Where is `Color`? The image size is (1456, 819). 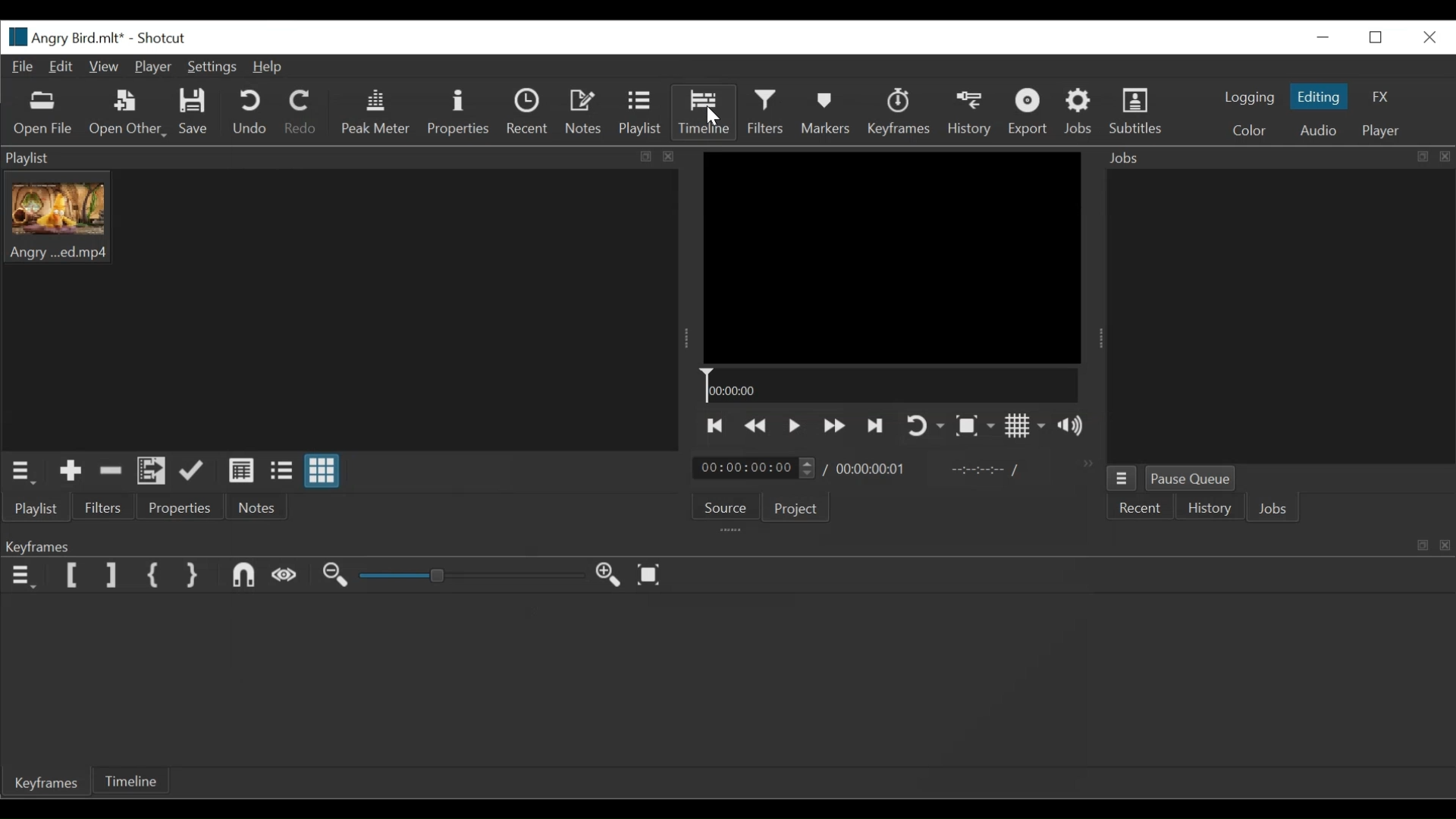 Color is located at coordinates (1248, 132).